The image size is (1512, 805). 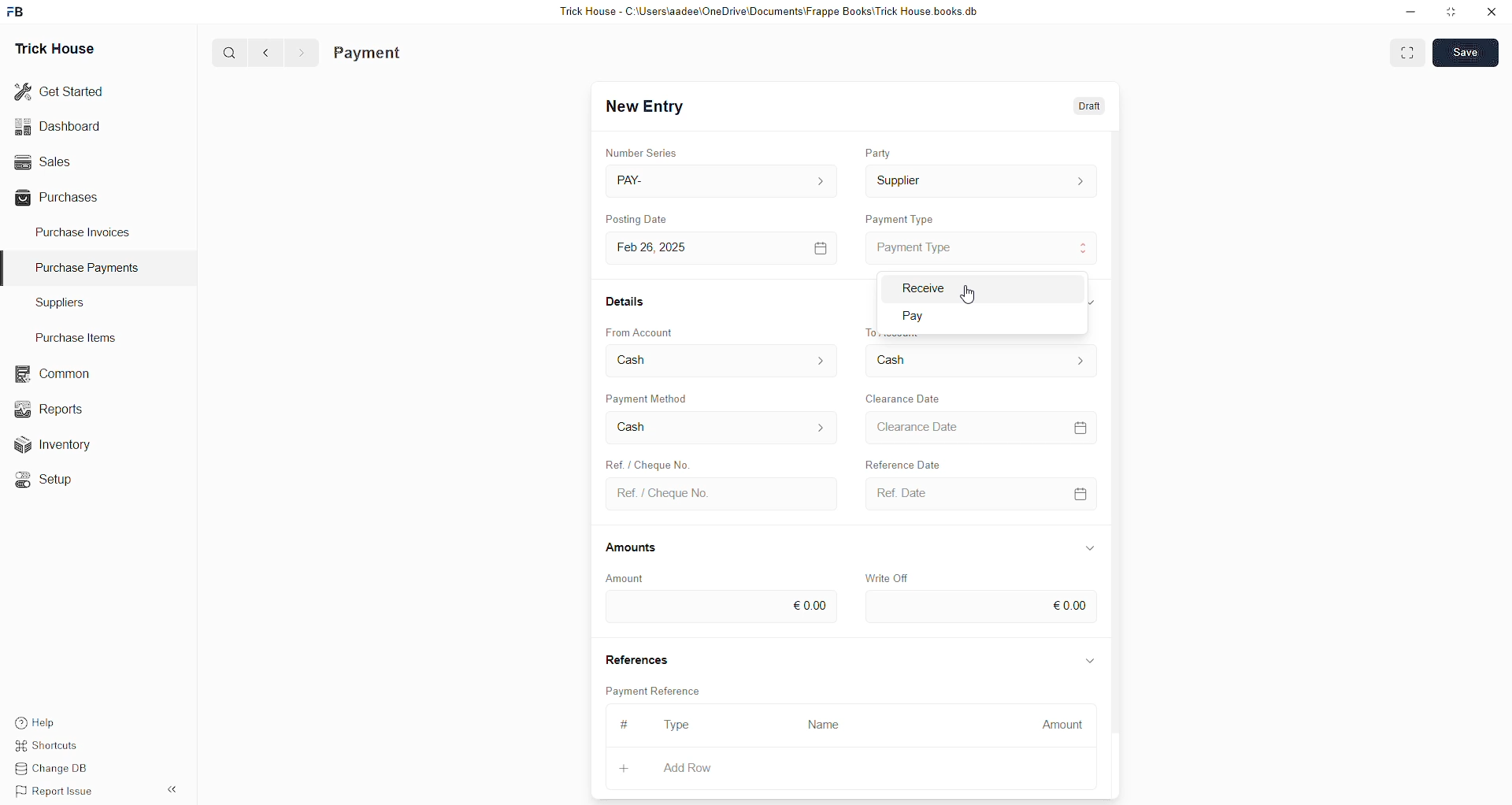 I want to click on expand, so click(x=1087, y=301).